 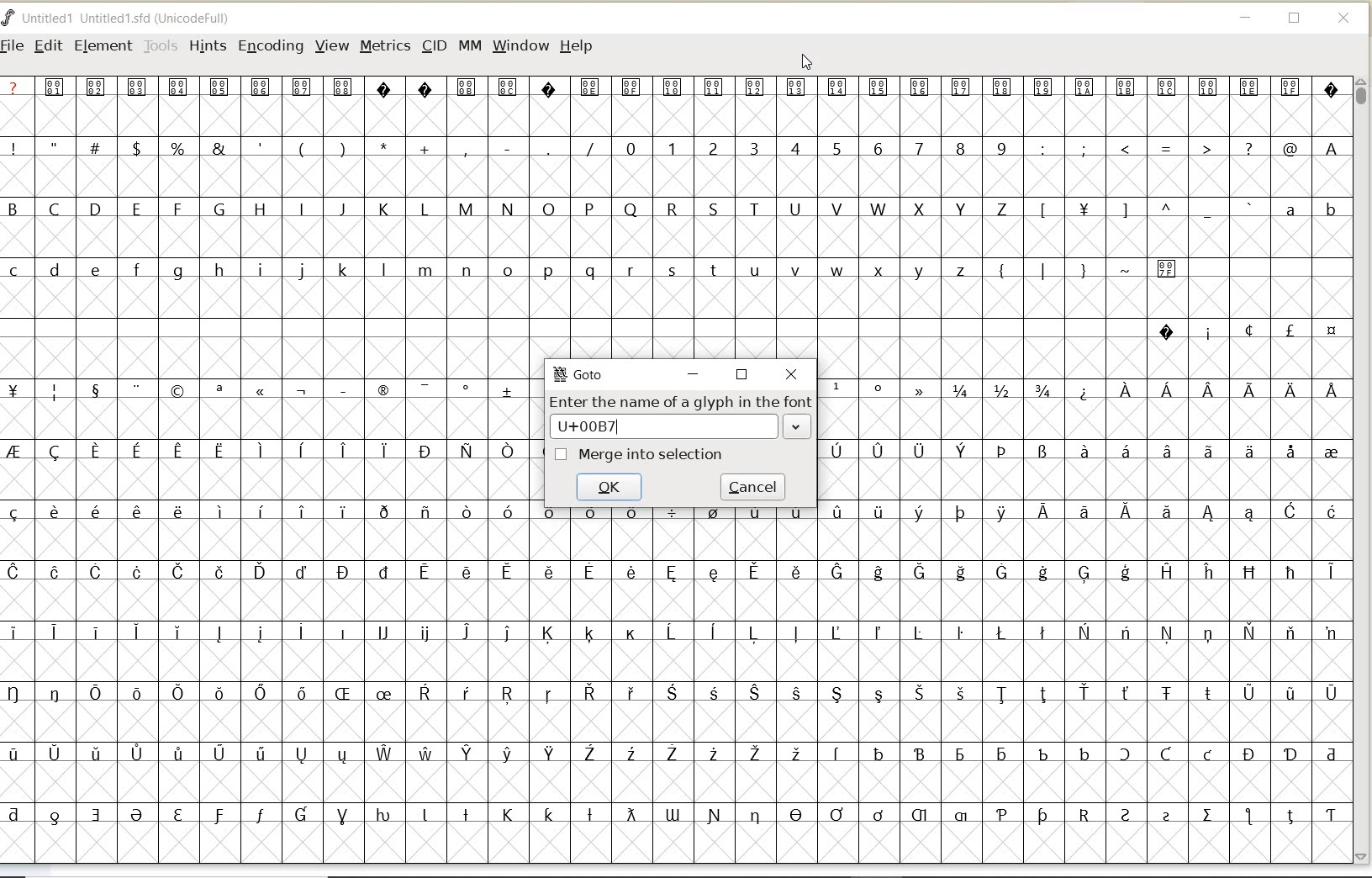 I want to click on special characters, so click(x=1193, y=149).